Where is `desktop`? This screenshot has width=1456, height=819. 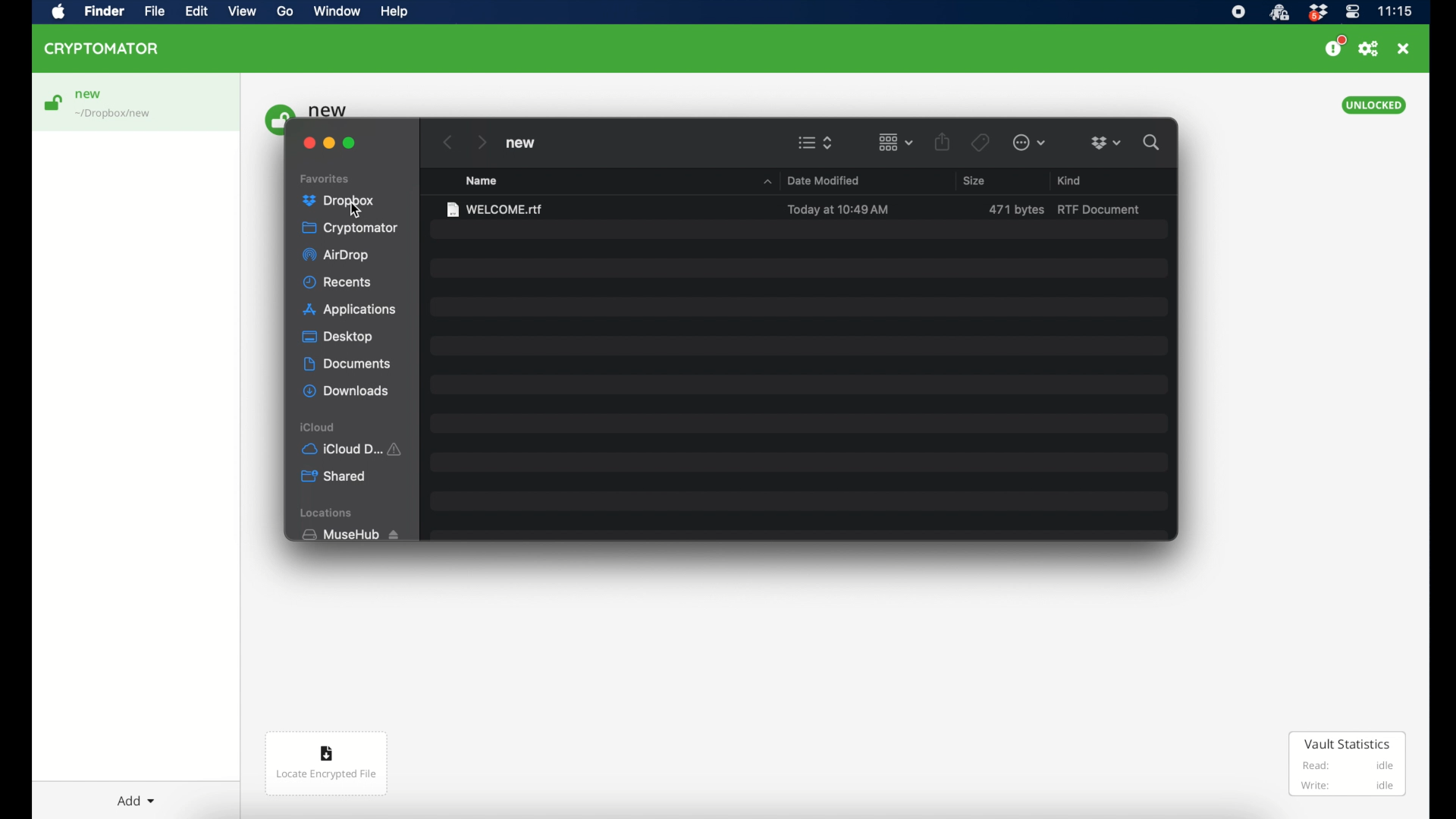 desktop is located at coordinates (337, 337).